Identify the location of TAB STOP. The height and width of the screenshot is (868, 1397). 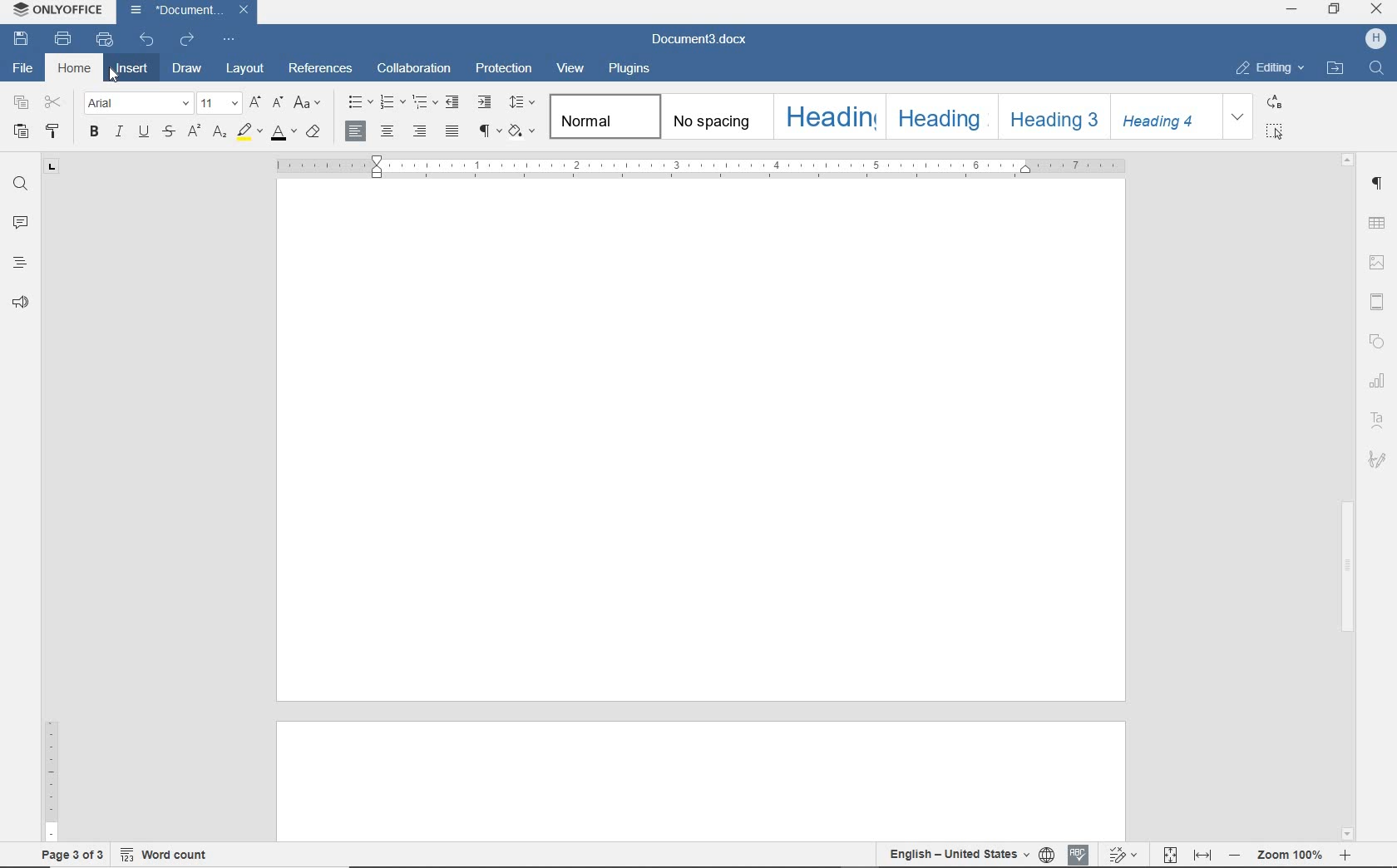
(53, 169).